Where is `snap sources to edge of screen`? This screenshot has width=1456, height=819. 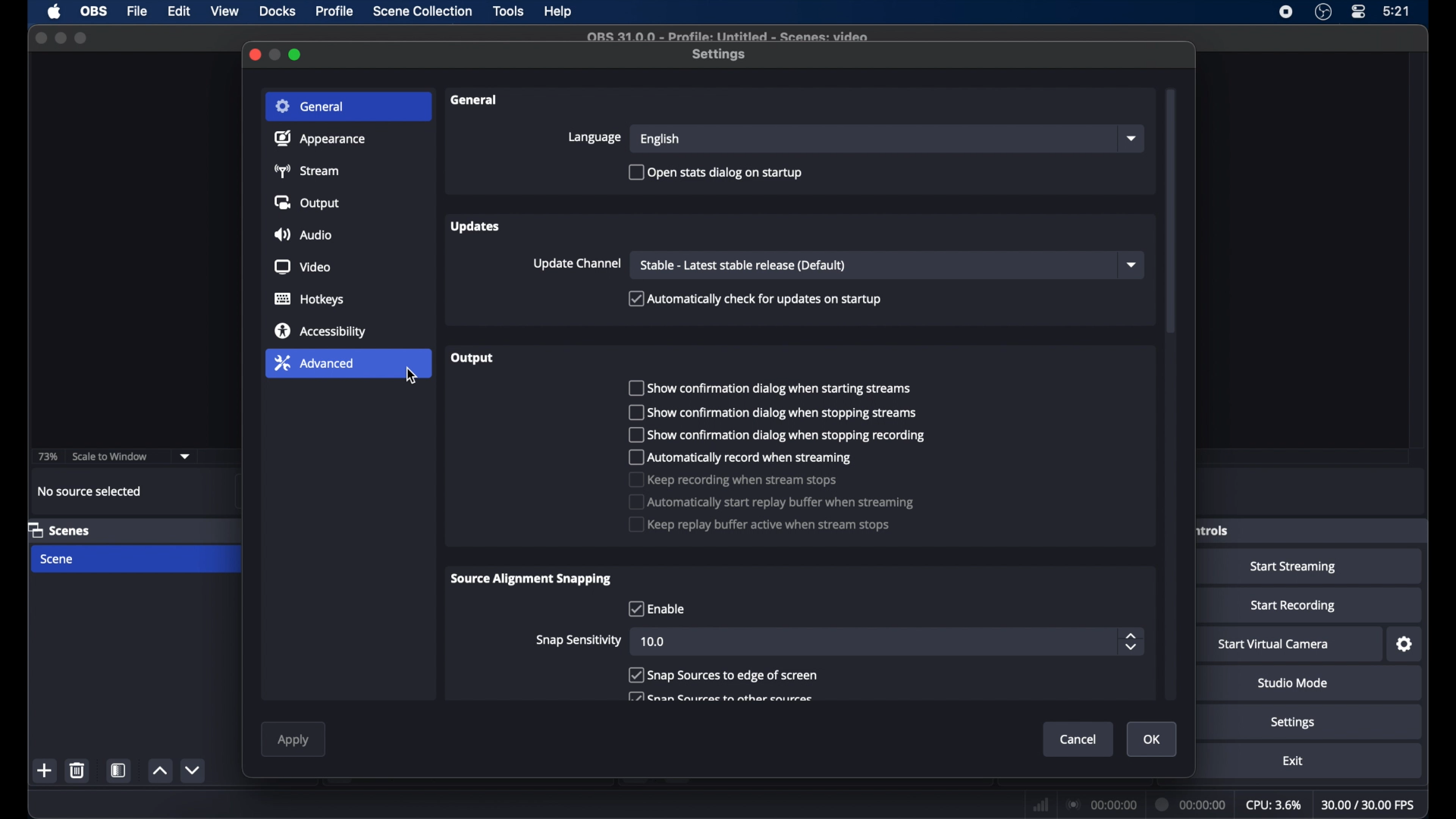
snap sources to edge of screen is located at coordinates (723, 675).